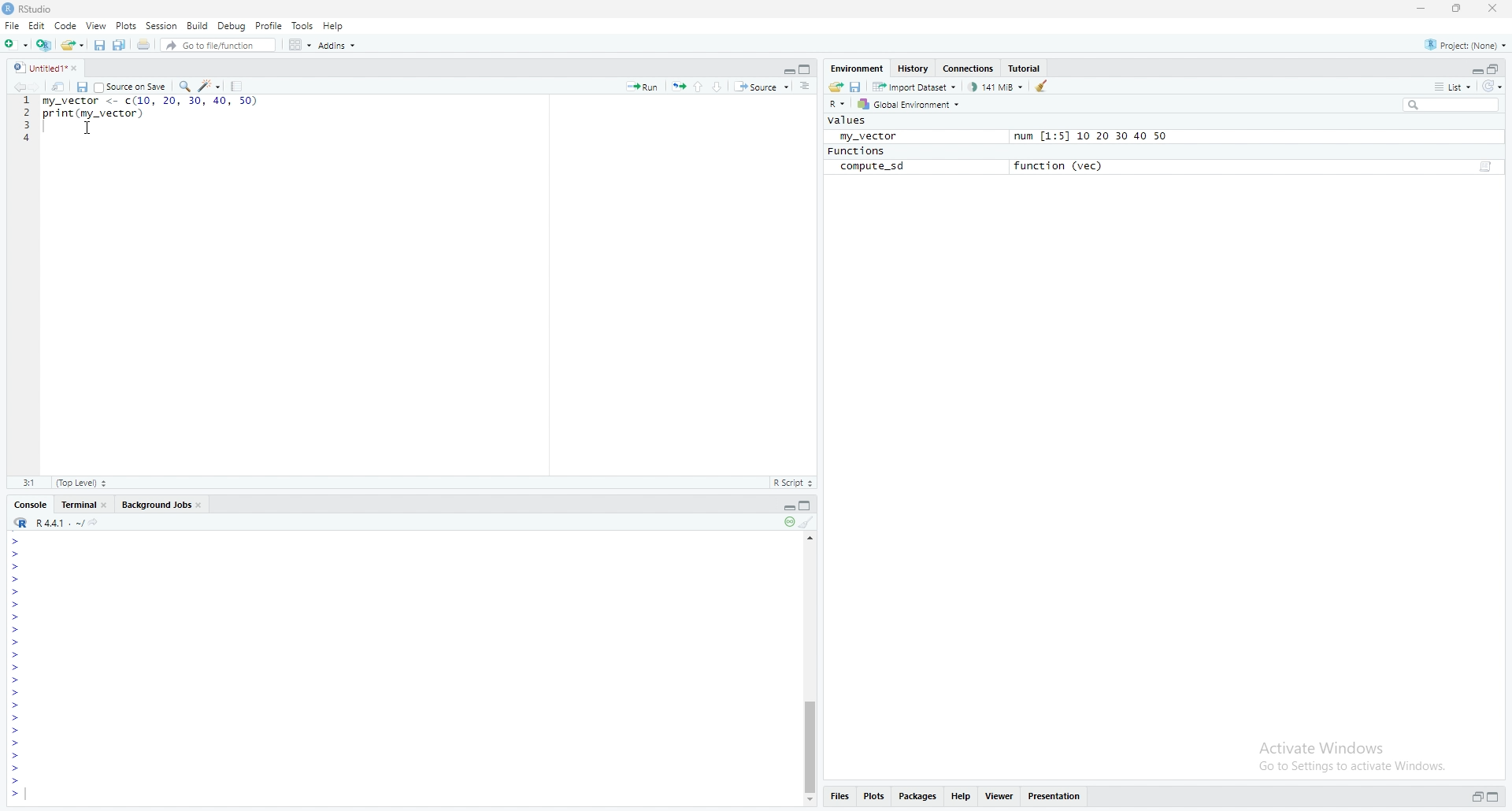  Describe the element at coordinates (1493, 796) in the screenshot. I see `Maximize` at that location.